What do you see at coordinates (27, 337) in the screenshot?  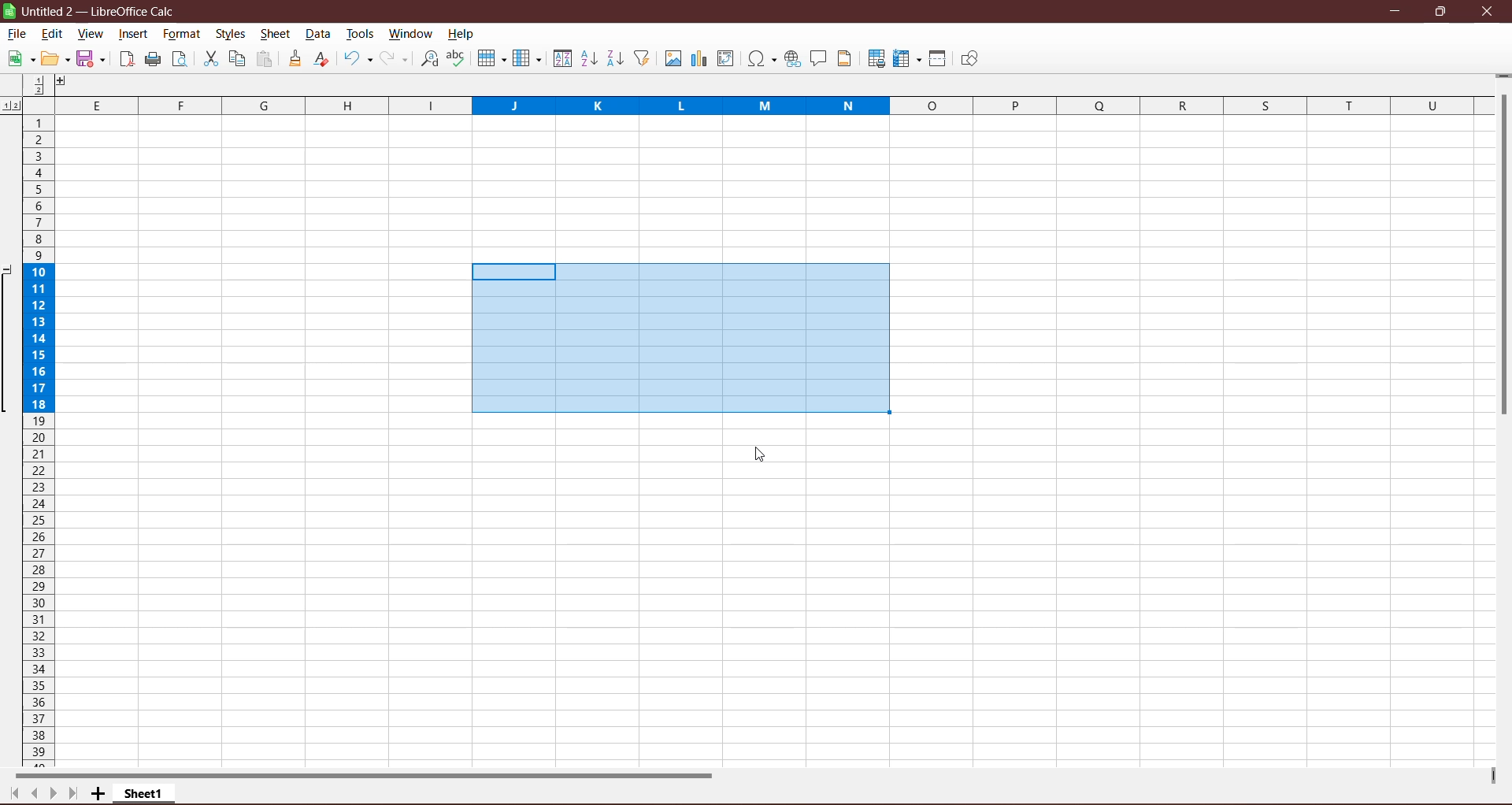 I see `selected rows grouped together` at bounding box center [27, 337].